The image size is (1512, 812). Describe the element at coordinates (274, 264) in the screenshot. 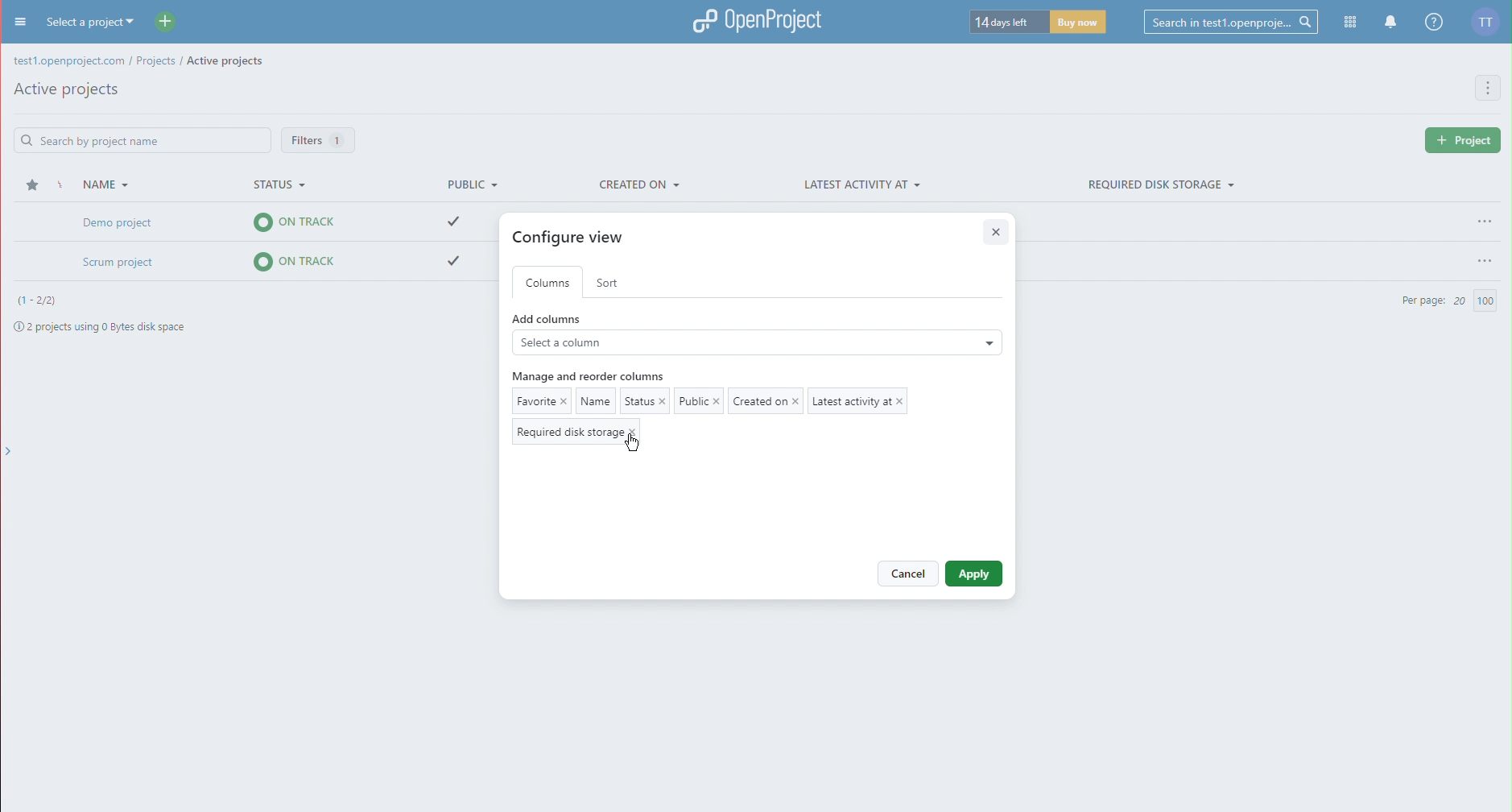

I see `Scrum project` at that location.